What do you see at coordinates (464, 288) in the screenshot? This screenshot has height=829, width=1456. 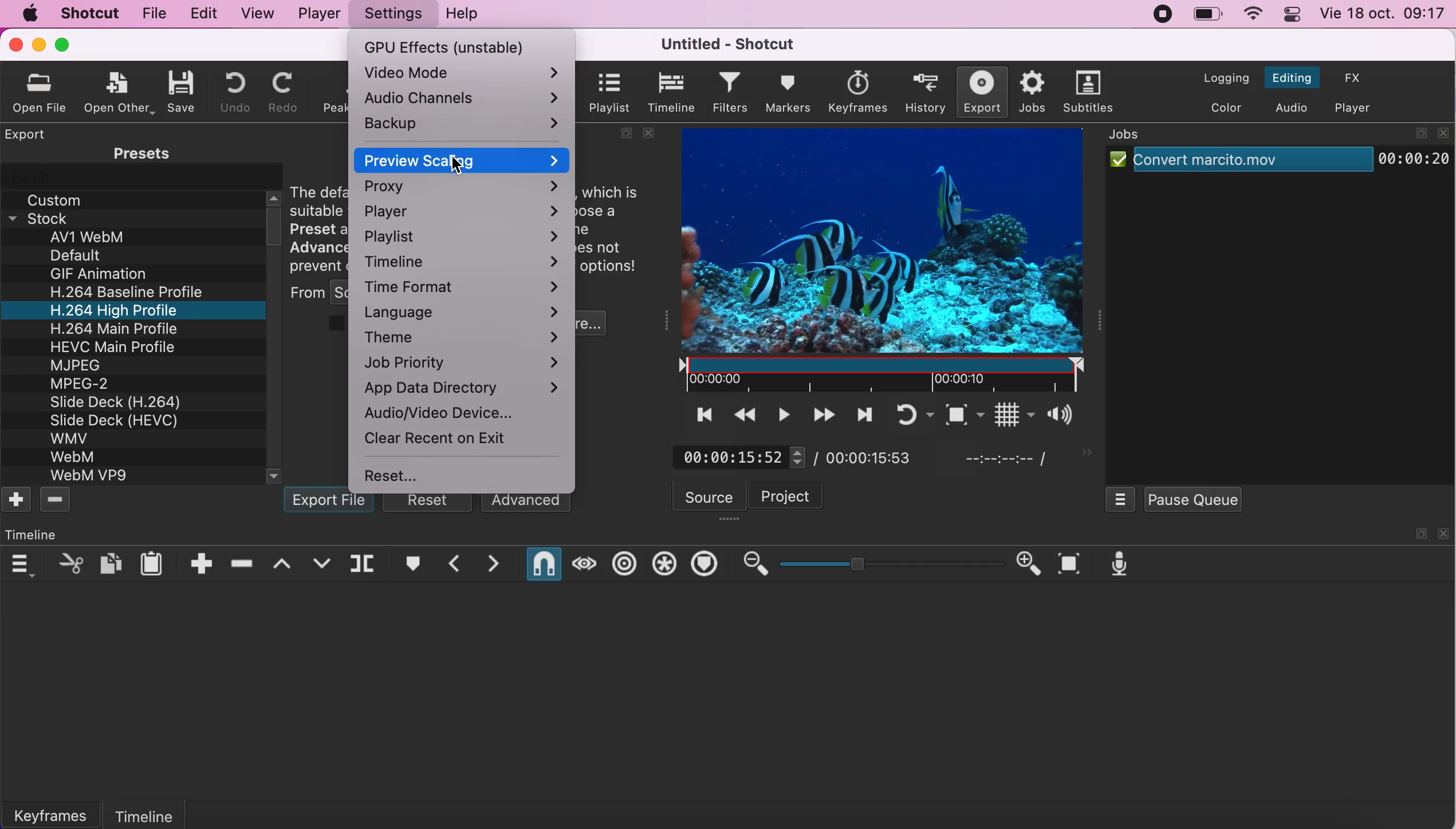 I see `time format` at bounding box center [464, 288].